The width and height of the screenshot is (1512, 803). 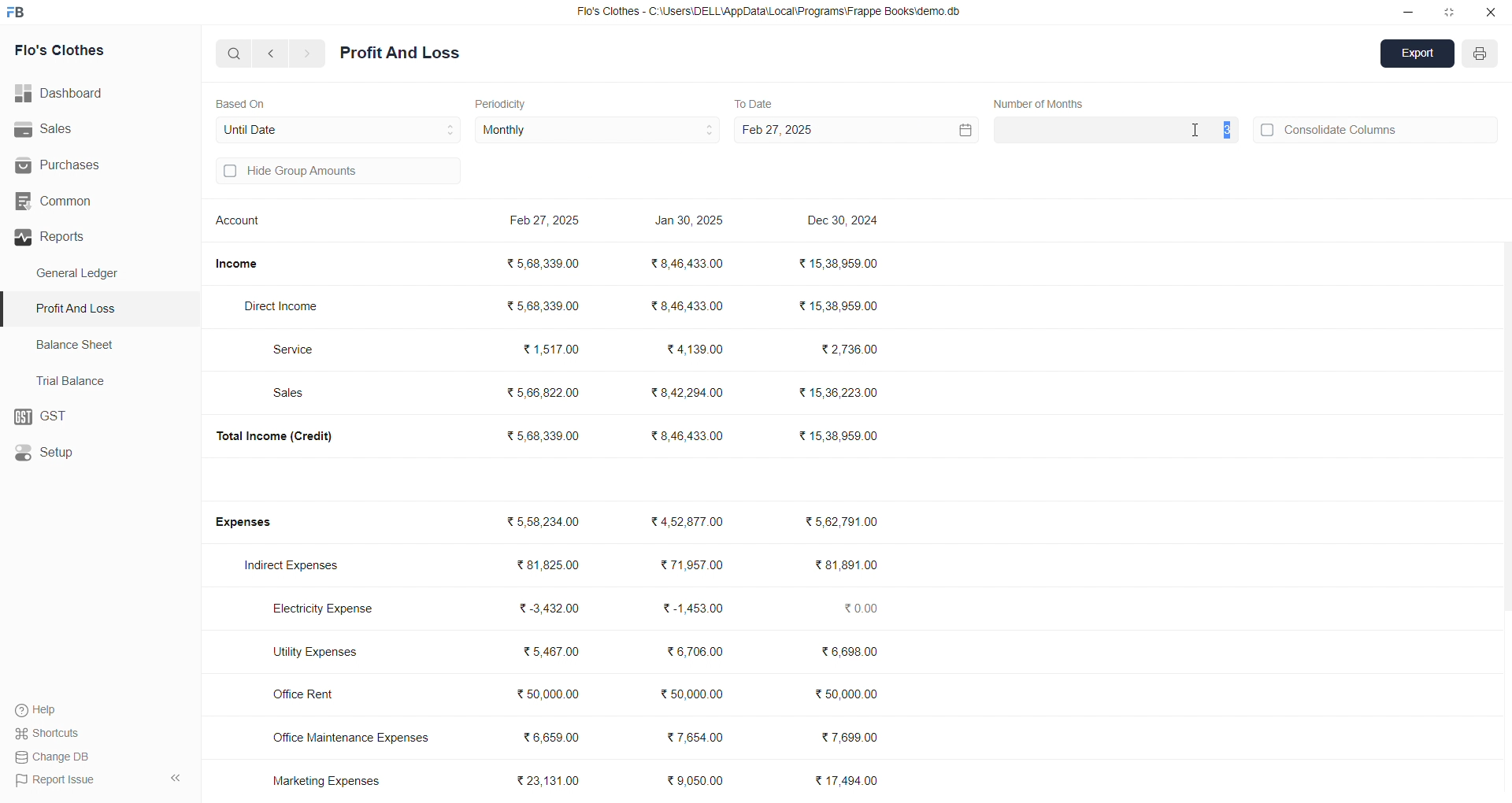 I want to click on GST, so click(x=98, y=417).